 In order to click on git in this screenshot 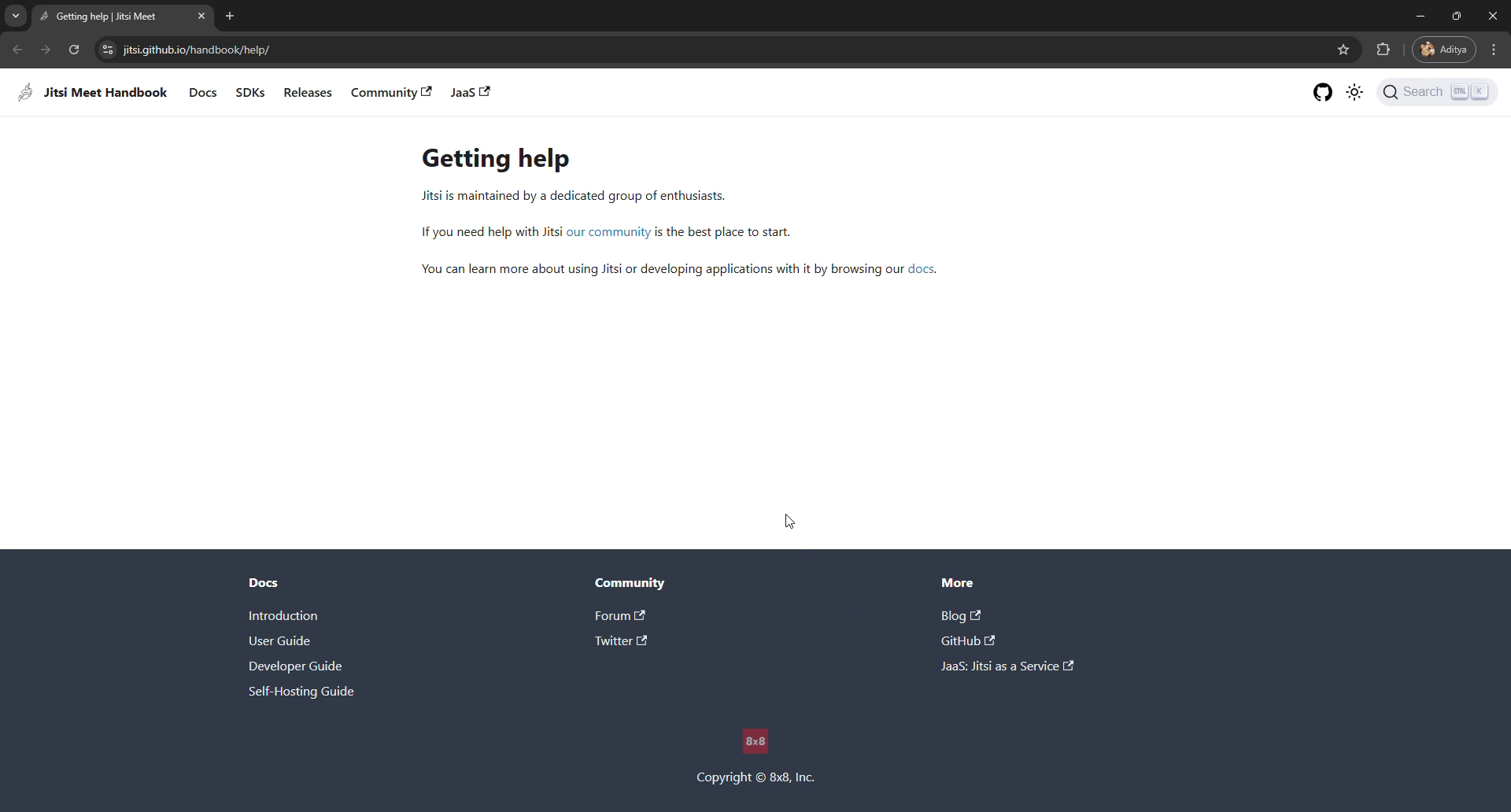, I will do `click(1323, 91)`.